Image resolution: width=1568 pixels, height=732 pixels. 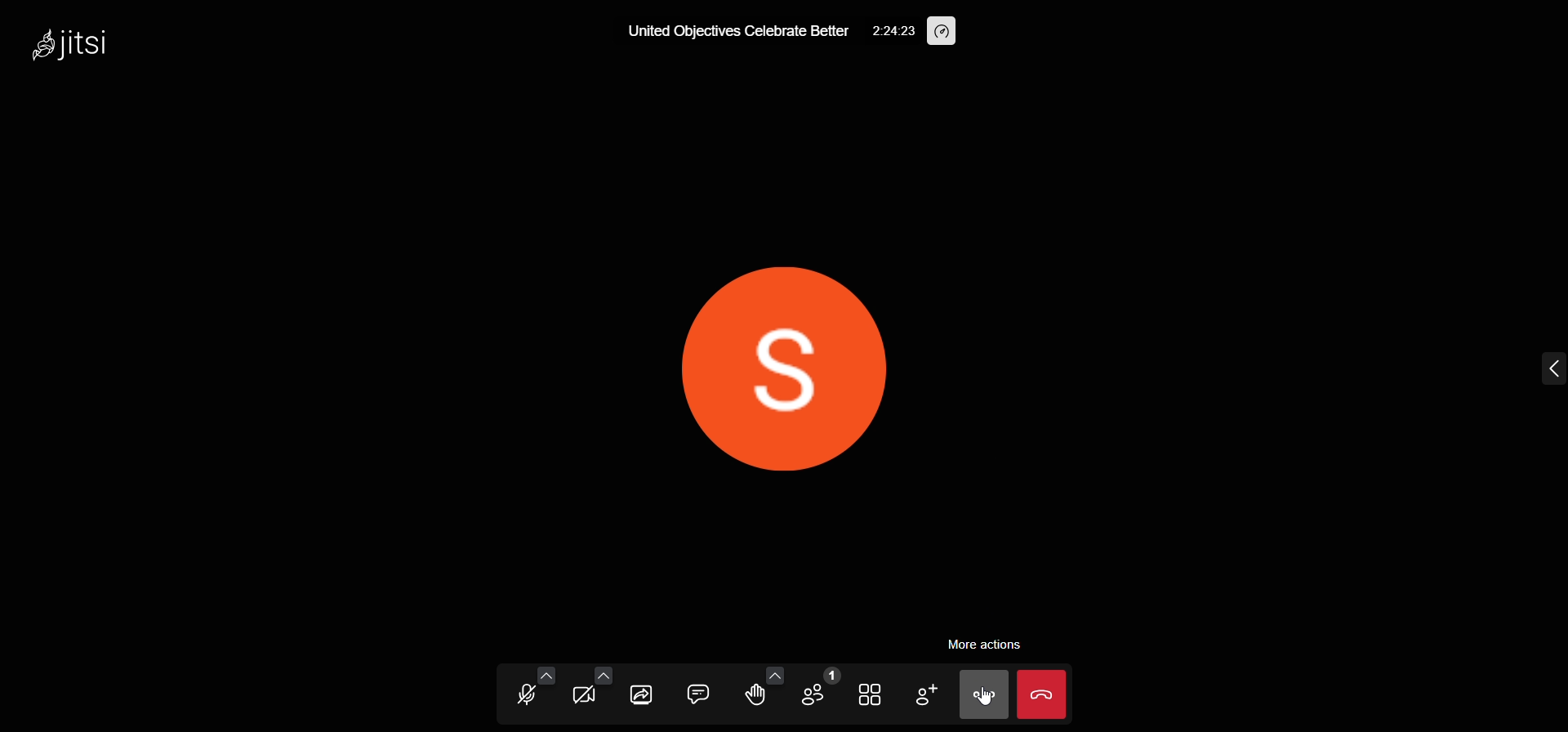 I want to click on video, so click(x=583, y=699).